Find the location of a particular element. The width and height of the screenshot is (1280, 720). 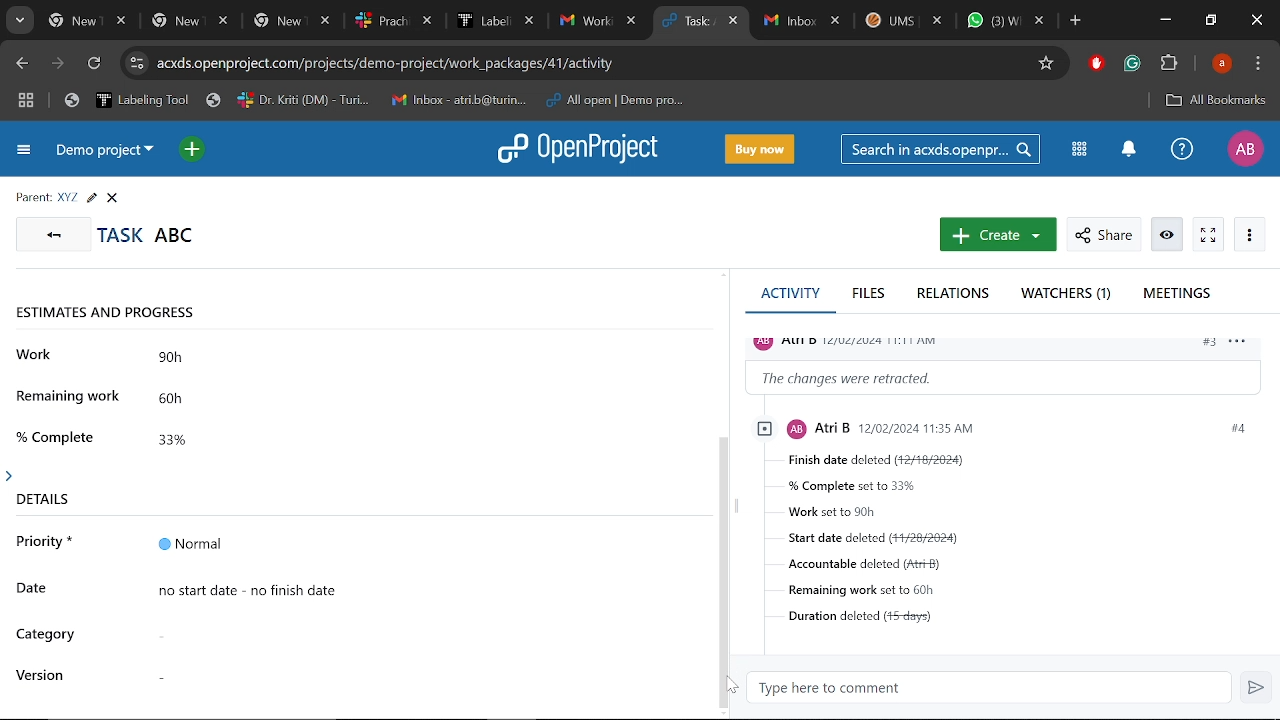

Profile is located at coordinates (1243, 149).